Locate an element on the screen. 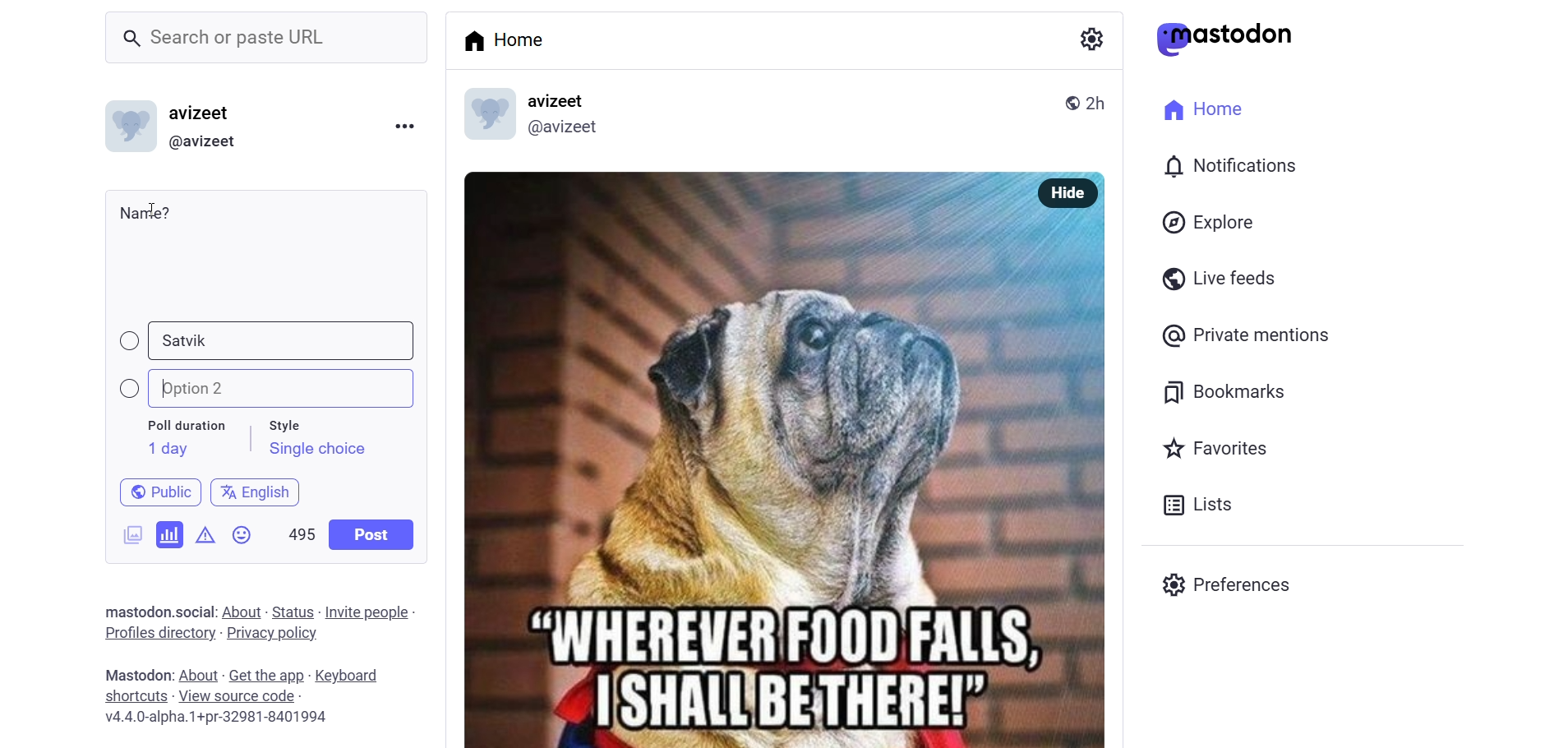 This screenshot has height=748, width=1568. @avizeet is located at coordinates (202, 142).